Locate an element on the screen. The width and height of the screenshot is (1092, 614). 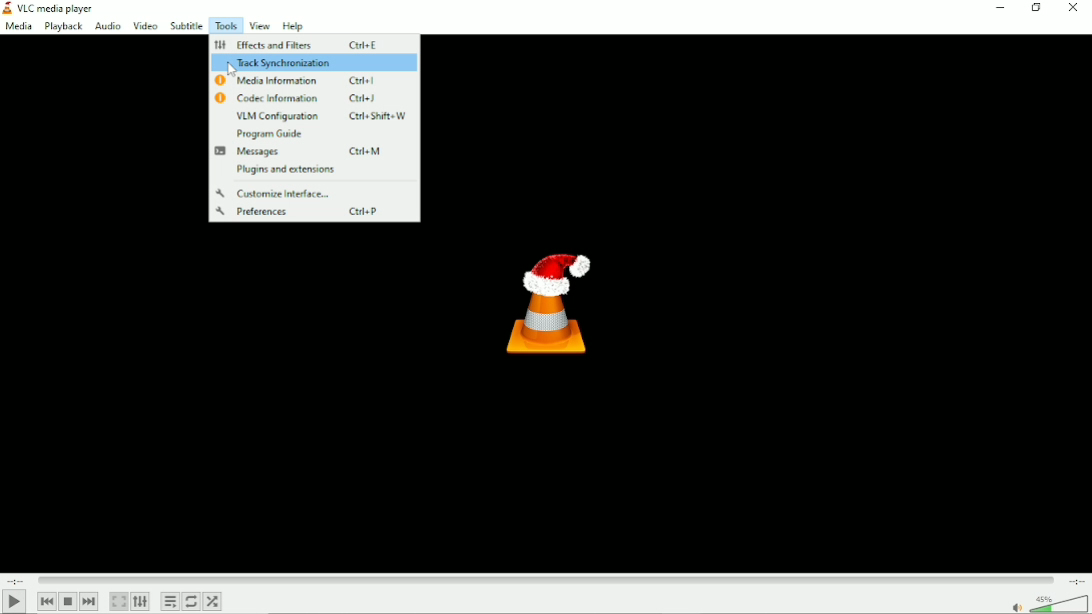
Program guide is located at coordinates (269, 134).